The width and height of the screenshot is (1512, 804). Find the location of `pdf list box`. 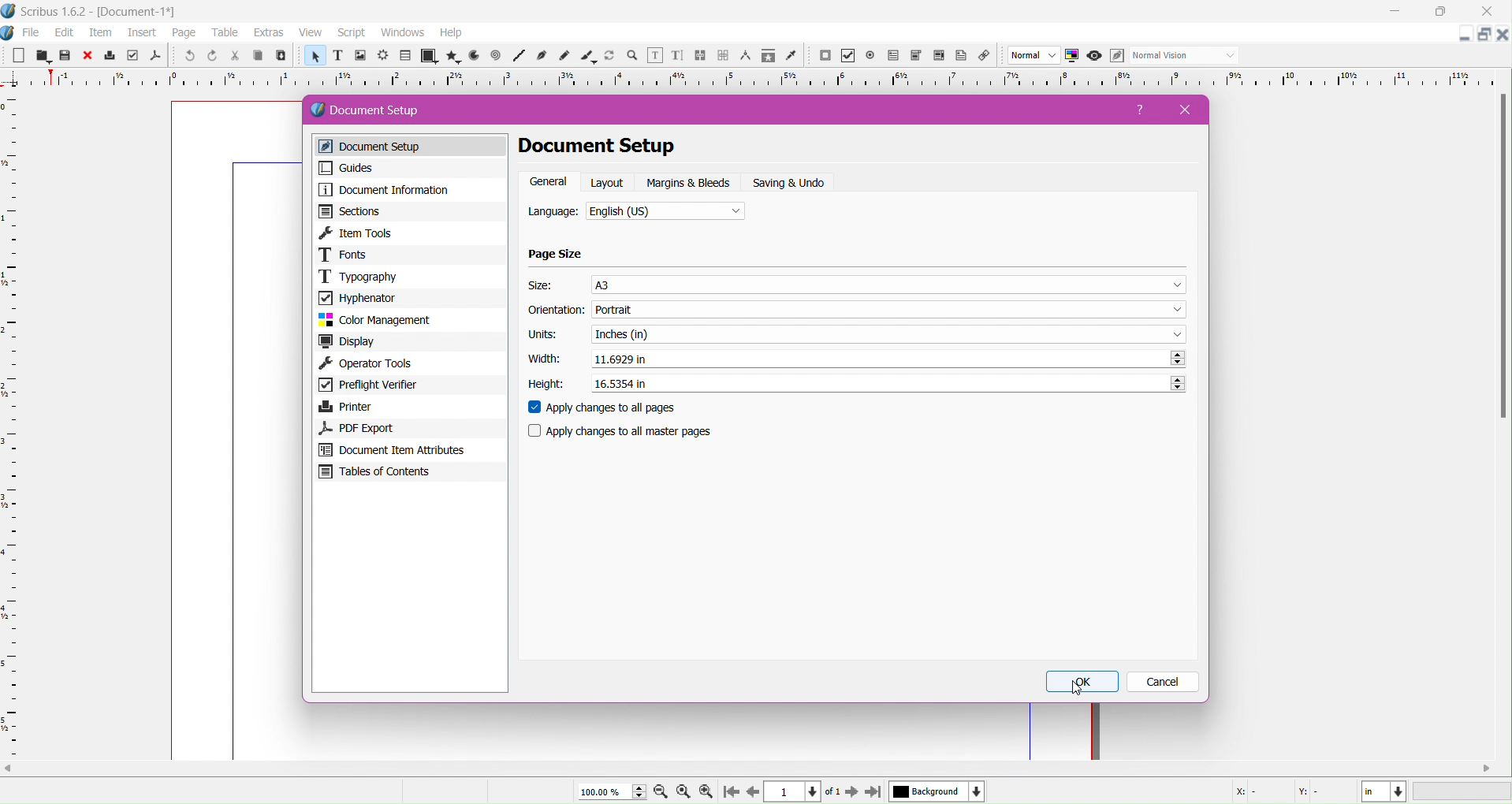

pdf list box is located at coordinates (916, 56).